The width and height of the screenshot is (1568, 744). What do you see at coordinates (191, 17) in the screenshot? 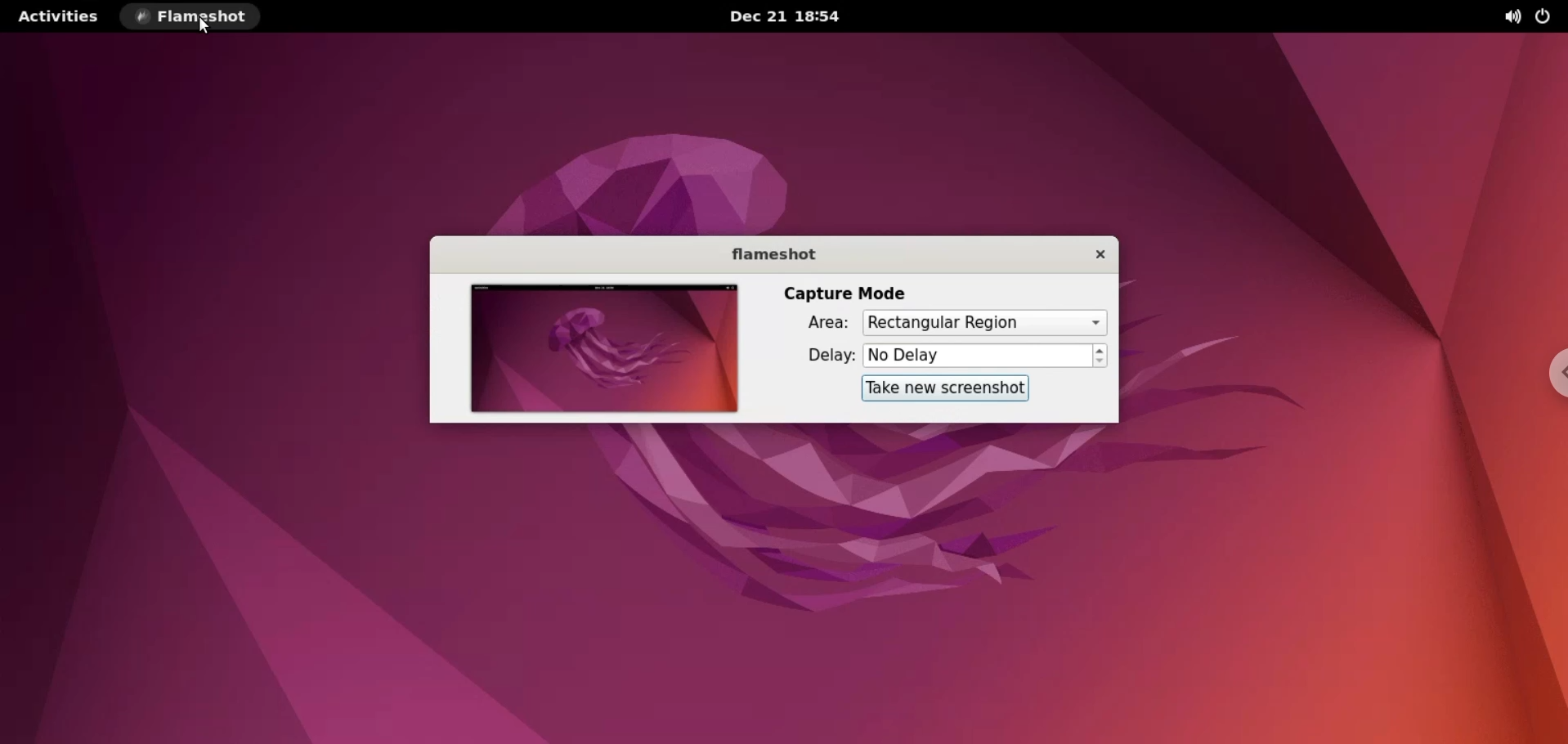
I see `flameshot options` at bounding box center [191, 17].